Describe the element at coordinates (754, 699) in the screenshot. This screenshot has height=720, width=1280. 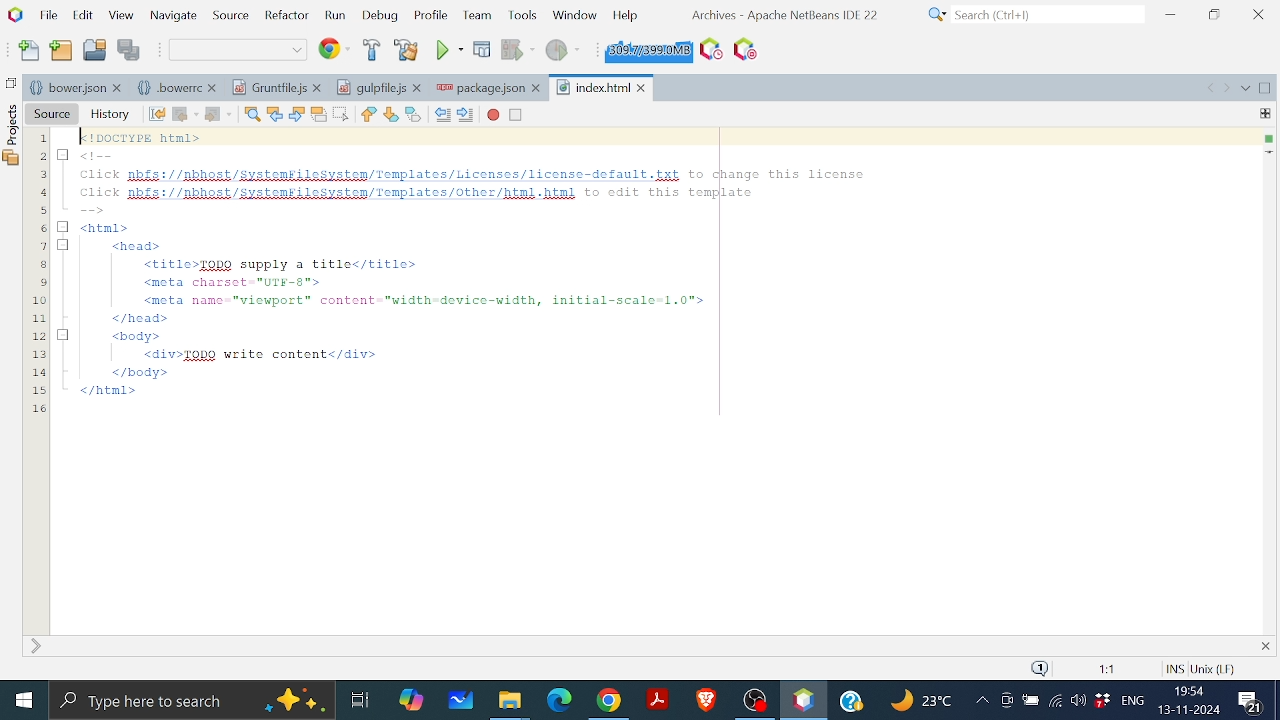
I see `OBS studio` at that location.